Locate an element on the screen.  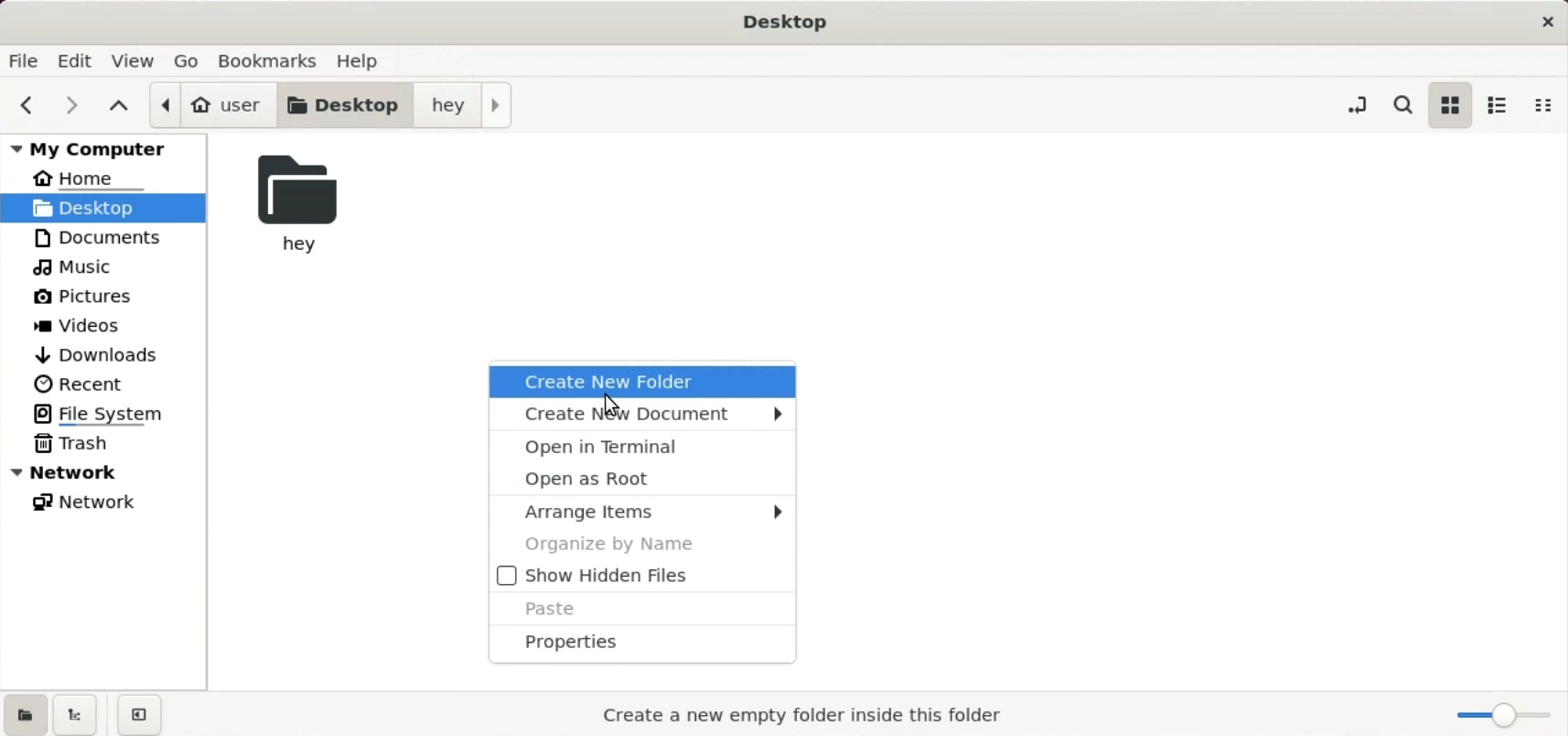
create new document is located at coordinates (641, 415).